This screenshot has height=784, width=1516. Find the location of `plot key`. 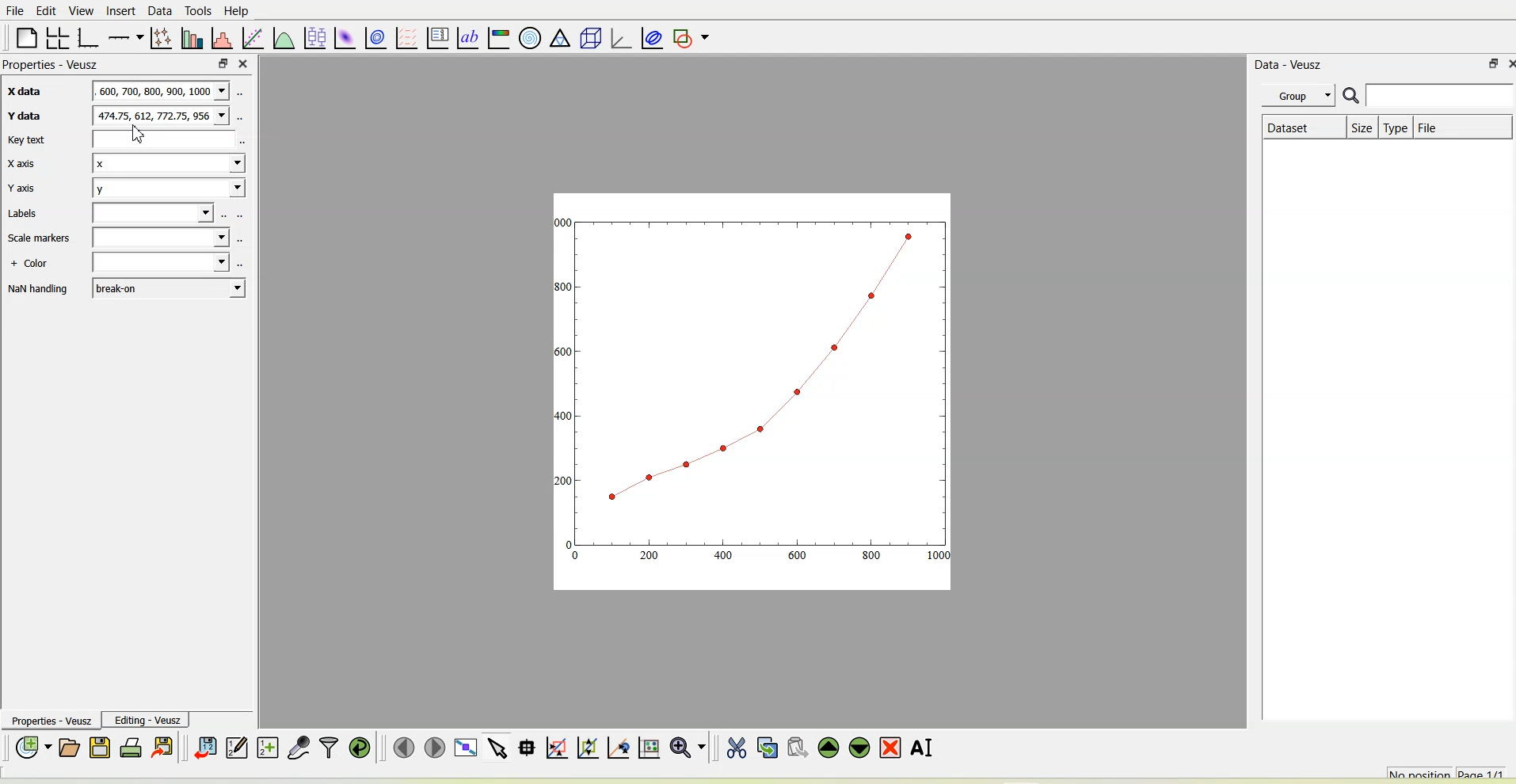

plot key is located at coordinates (436, 36).